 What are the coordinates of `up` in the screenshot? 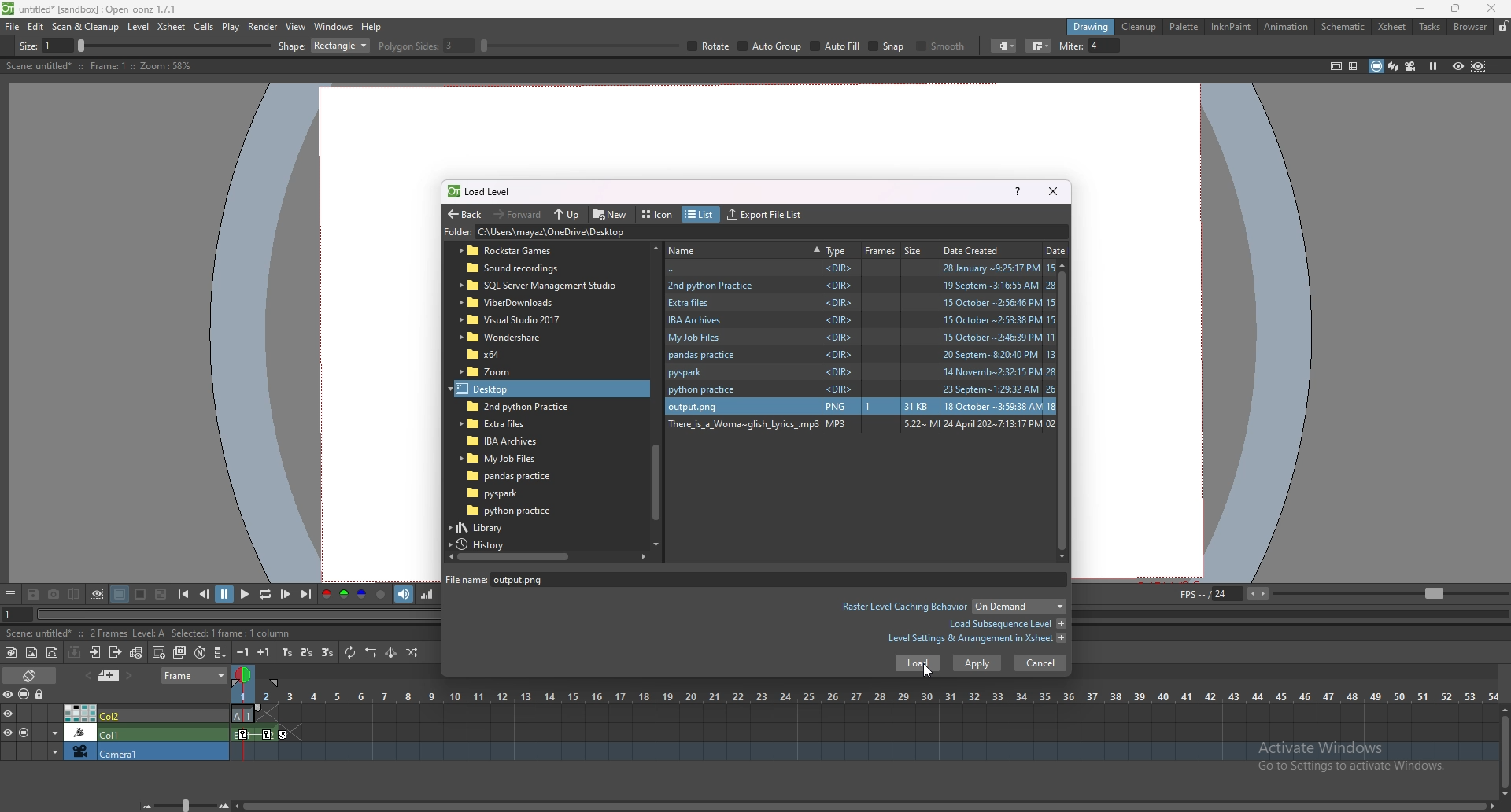 It's located at (567, 215).